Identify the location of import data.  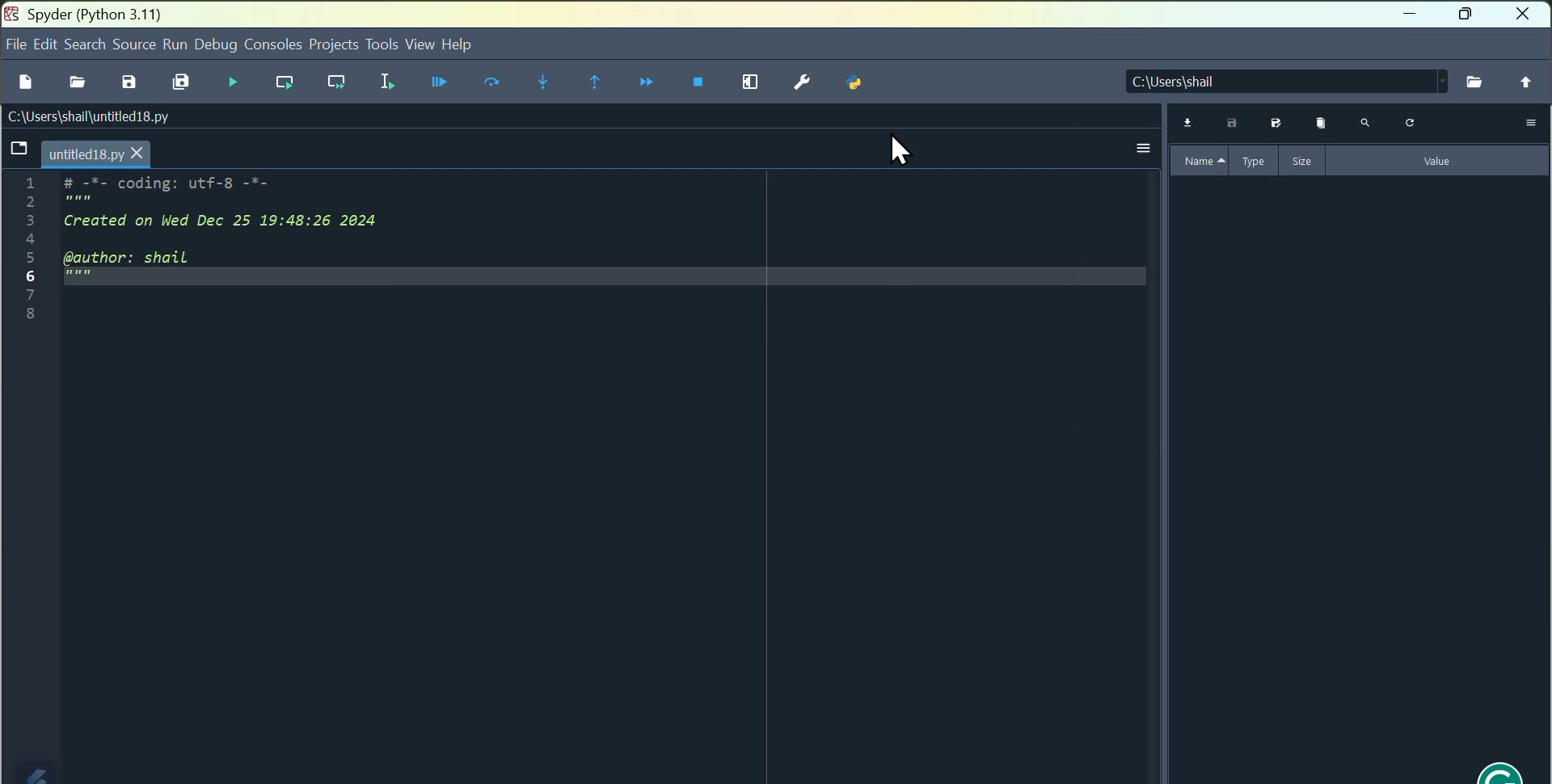
(1187, 121).